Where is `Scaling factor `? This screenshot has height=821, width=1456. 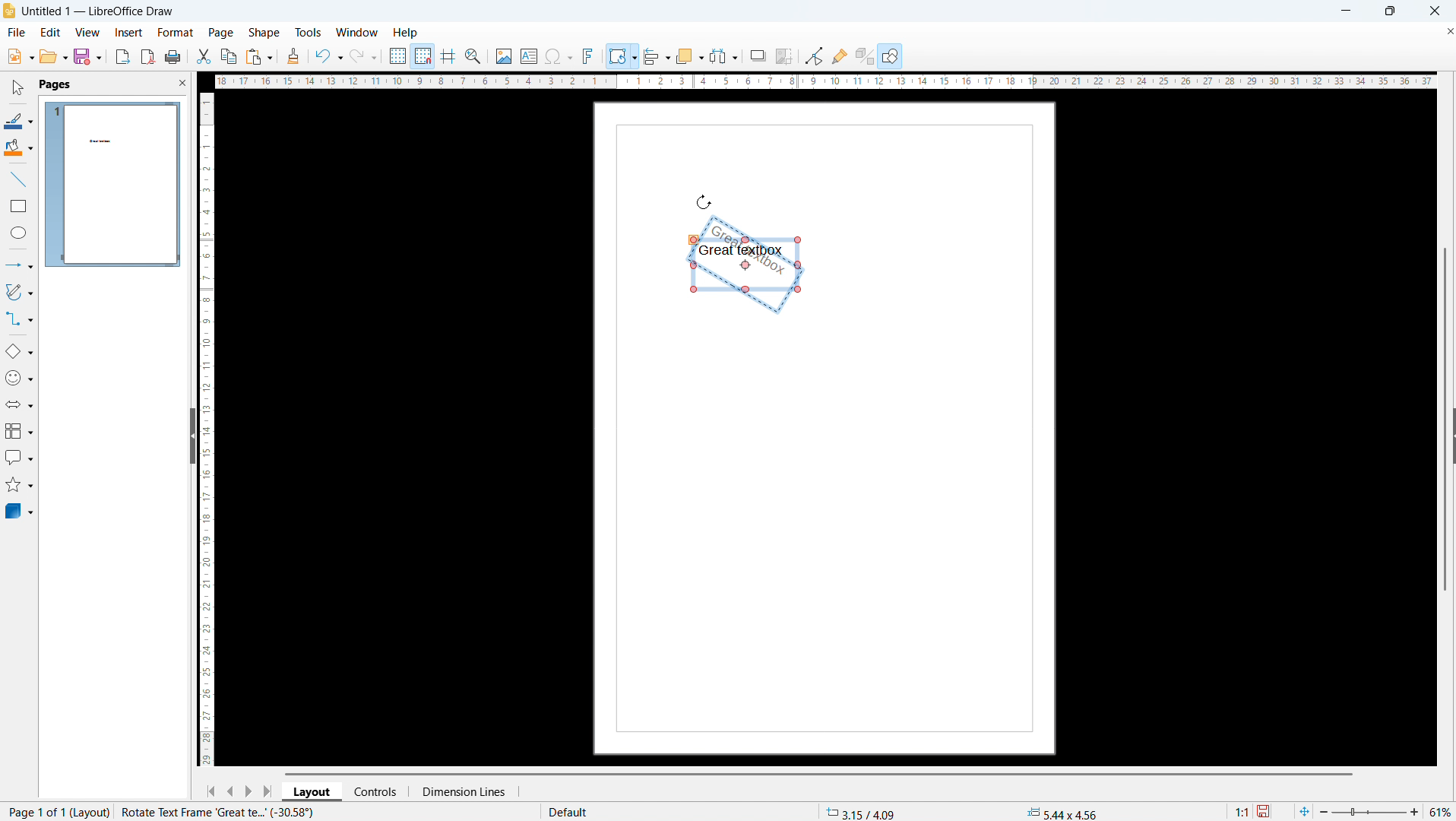
Scaling factor  is located at coordinates (1242, 810).